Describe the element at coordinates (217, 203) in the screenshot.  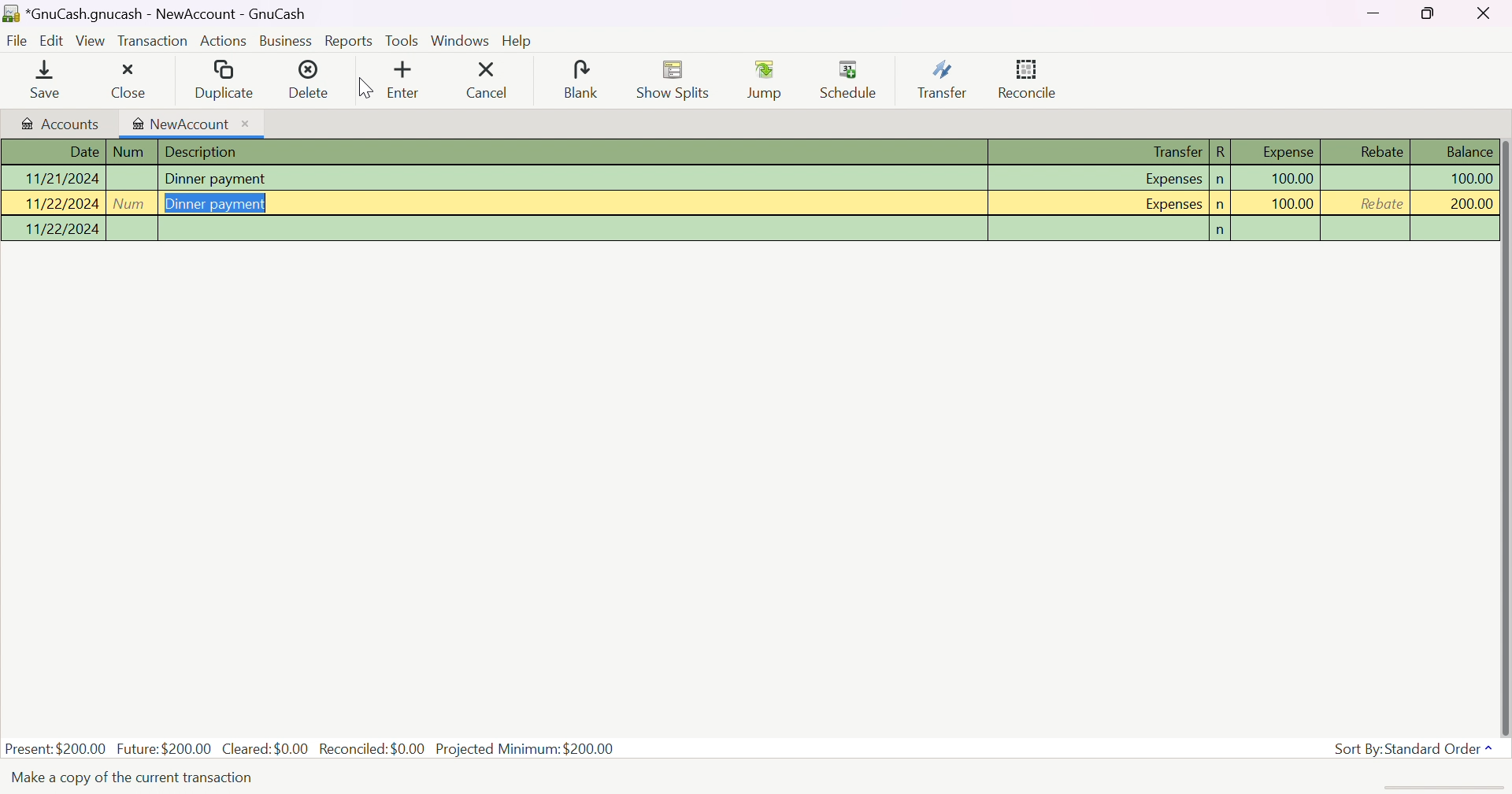
I see `Dinner payment` at that location.